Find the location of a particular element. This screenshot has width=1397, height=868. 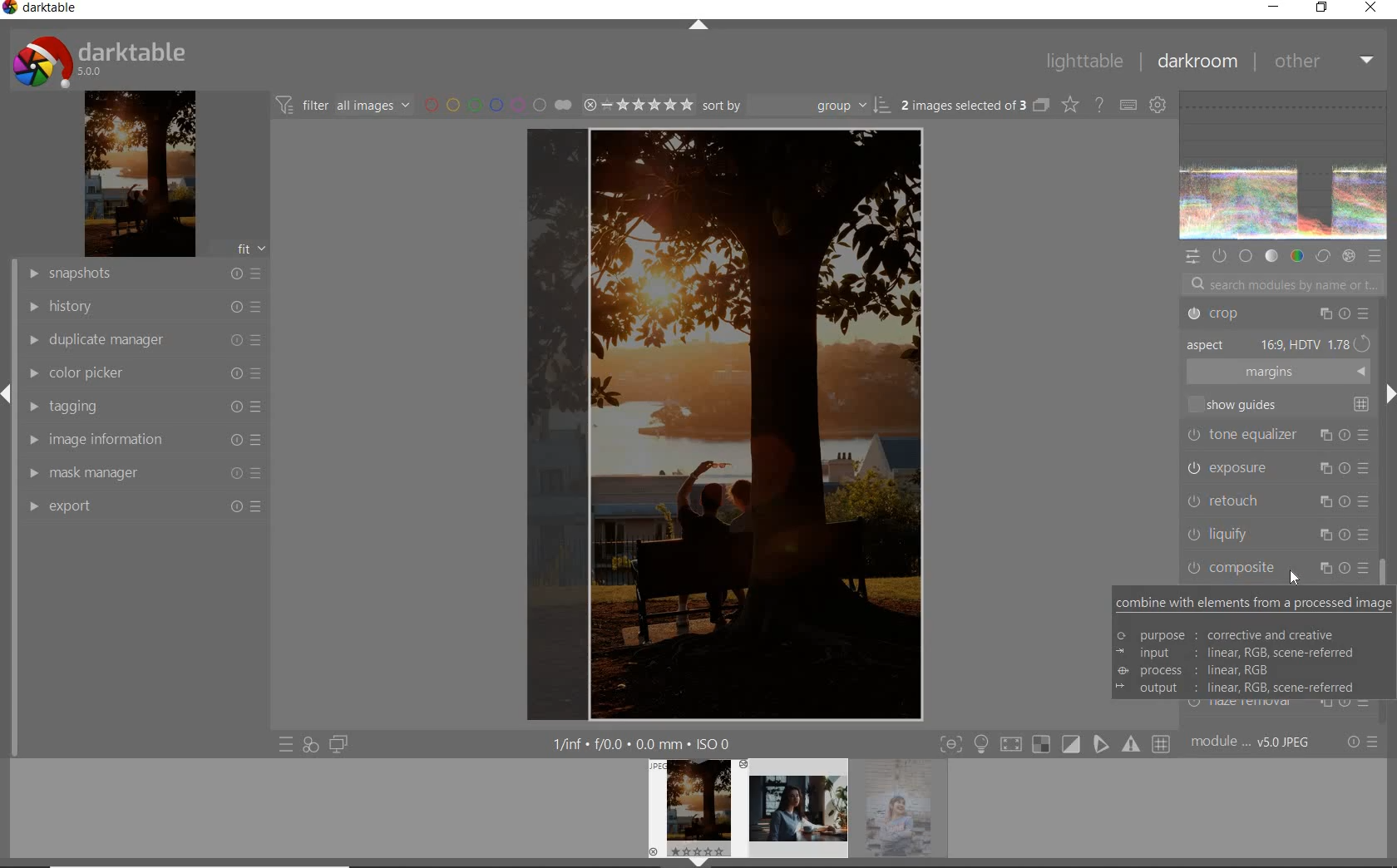

image preview is located at coordinates (906, 813).